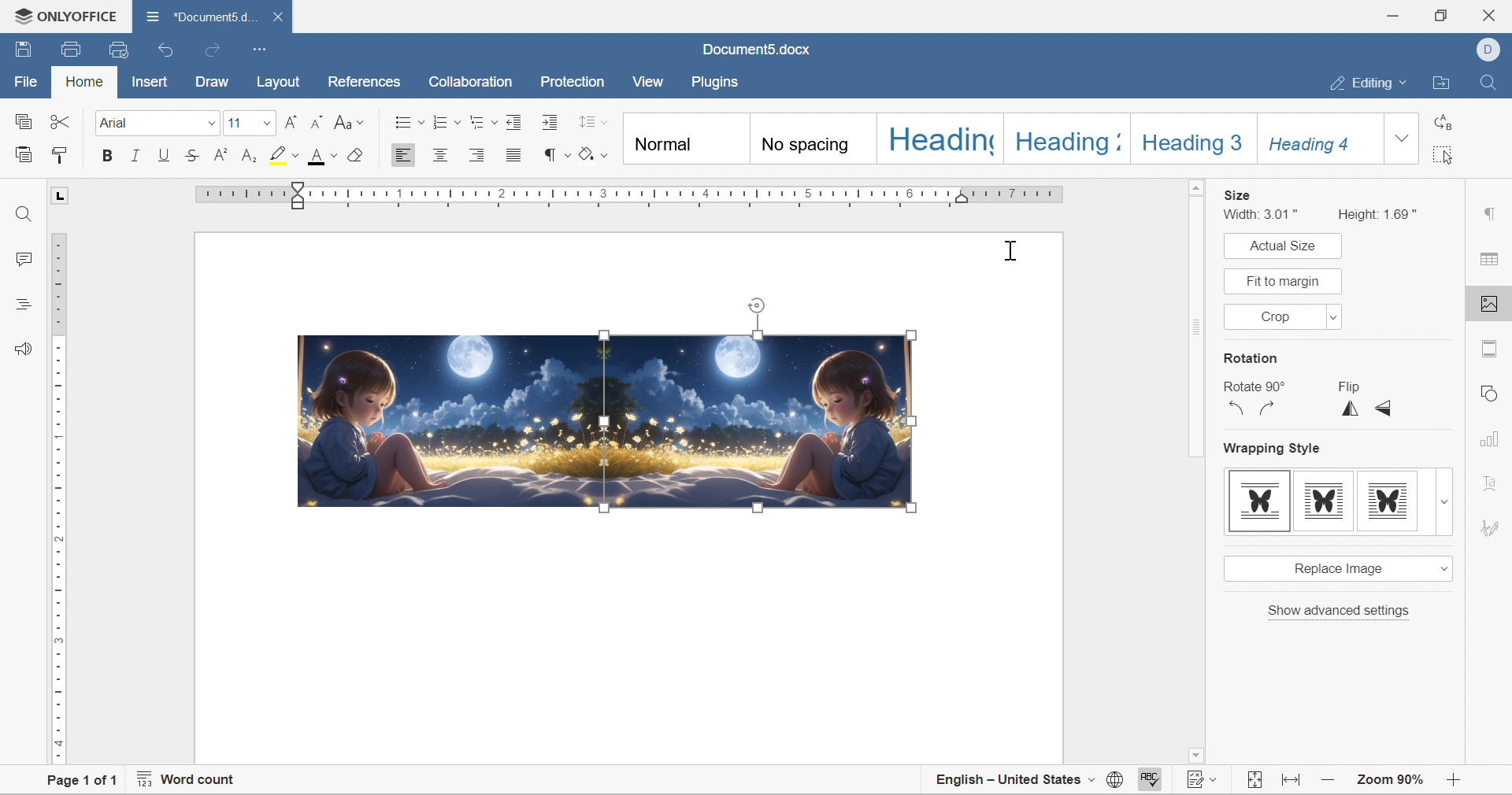 This screenshot has width=1512, height=795. What do you see at coordinates (443, 154) in the screenshot?
I see `Align center` at bounding box center [443, 154].